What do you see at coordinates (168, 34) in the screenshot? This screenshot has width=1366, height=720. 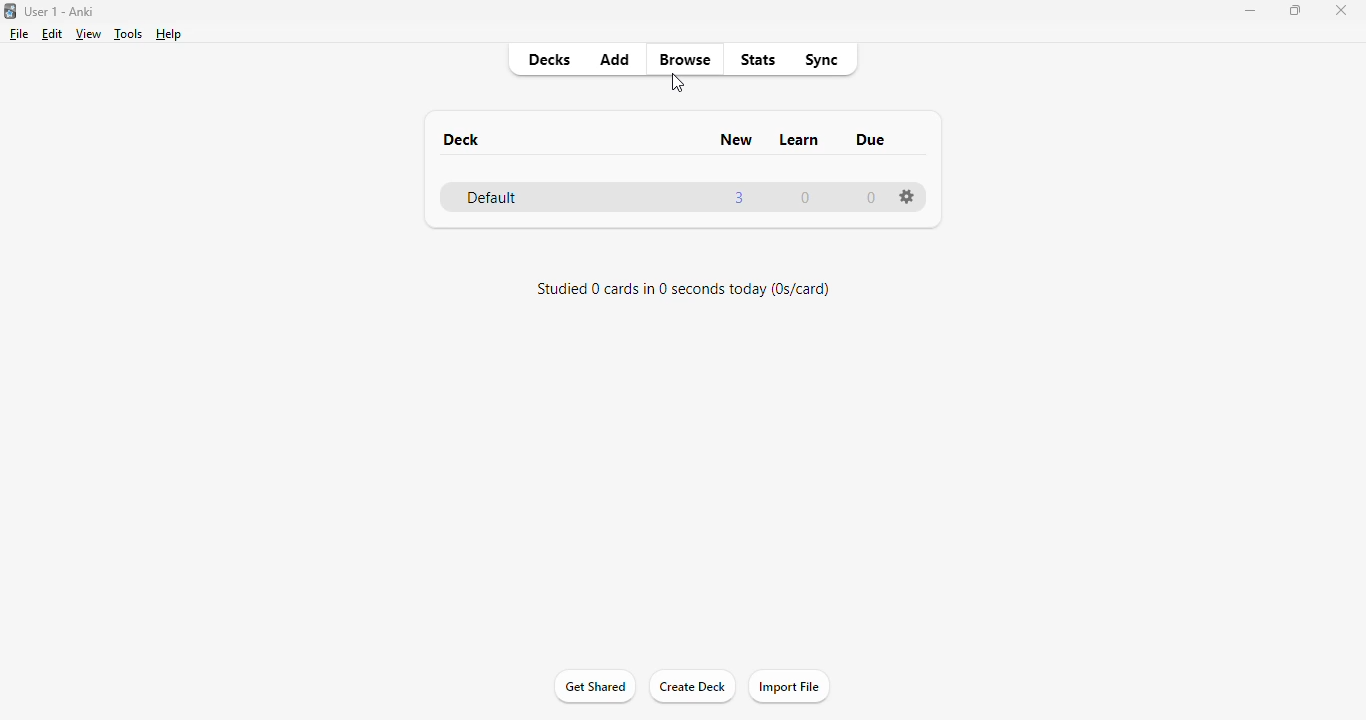 I see `help` at bounding box center [168, 34].